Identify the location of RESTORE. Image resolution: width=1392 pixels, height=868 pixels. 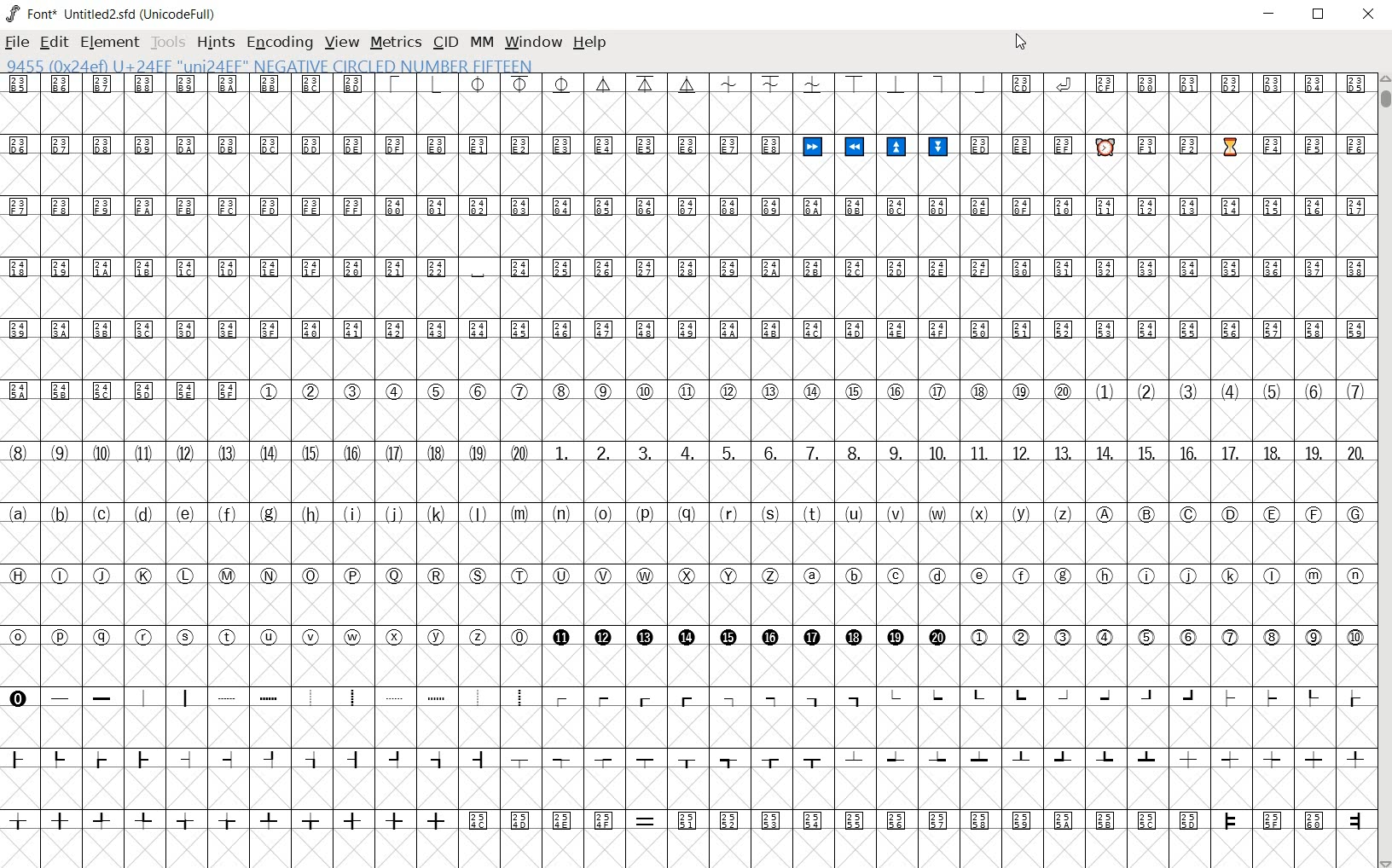
(1319, 14).